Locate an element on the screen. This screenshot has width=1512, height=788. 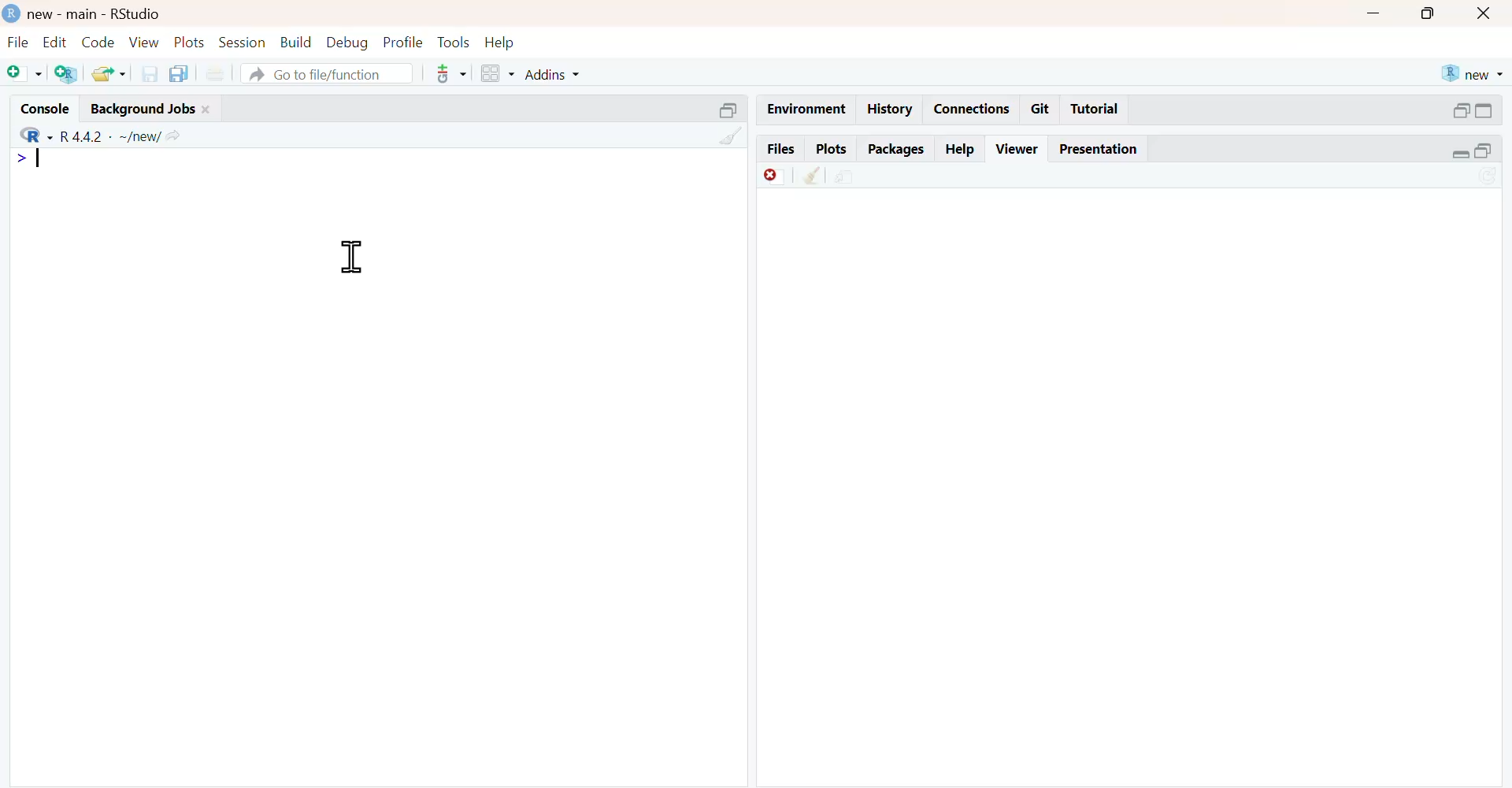
help is located at coordinates (961, 151).